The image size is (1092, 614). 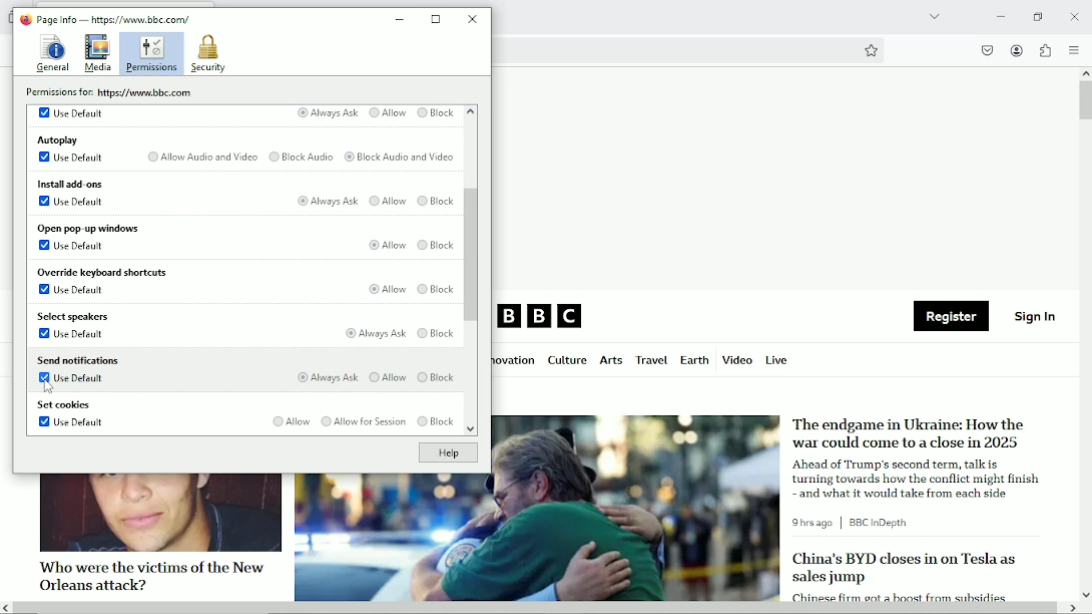 What do you see at coordinates (69, 182) in the screenshot?
I see `Install add -ons` at bounding box center [69, 182].